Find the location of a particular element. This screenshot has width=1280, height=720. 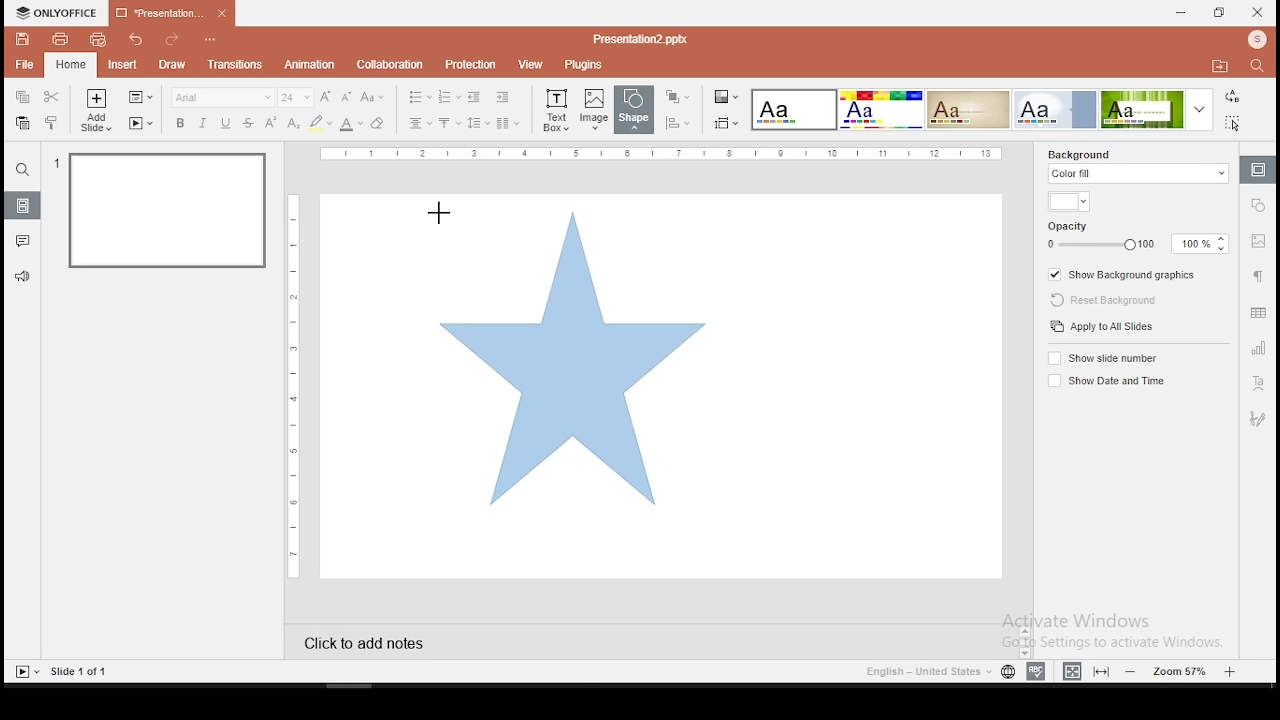

slide 1 is located at coordinates (170, 213).